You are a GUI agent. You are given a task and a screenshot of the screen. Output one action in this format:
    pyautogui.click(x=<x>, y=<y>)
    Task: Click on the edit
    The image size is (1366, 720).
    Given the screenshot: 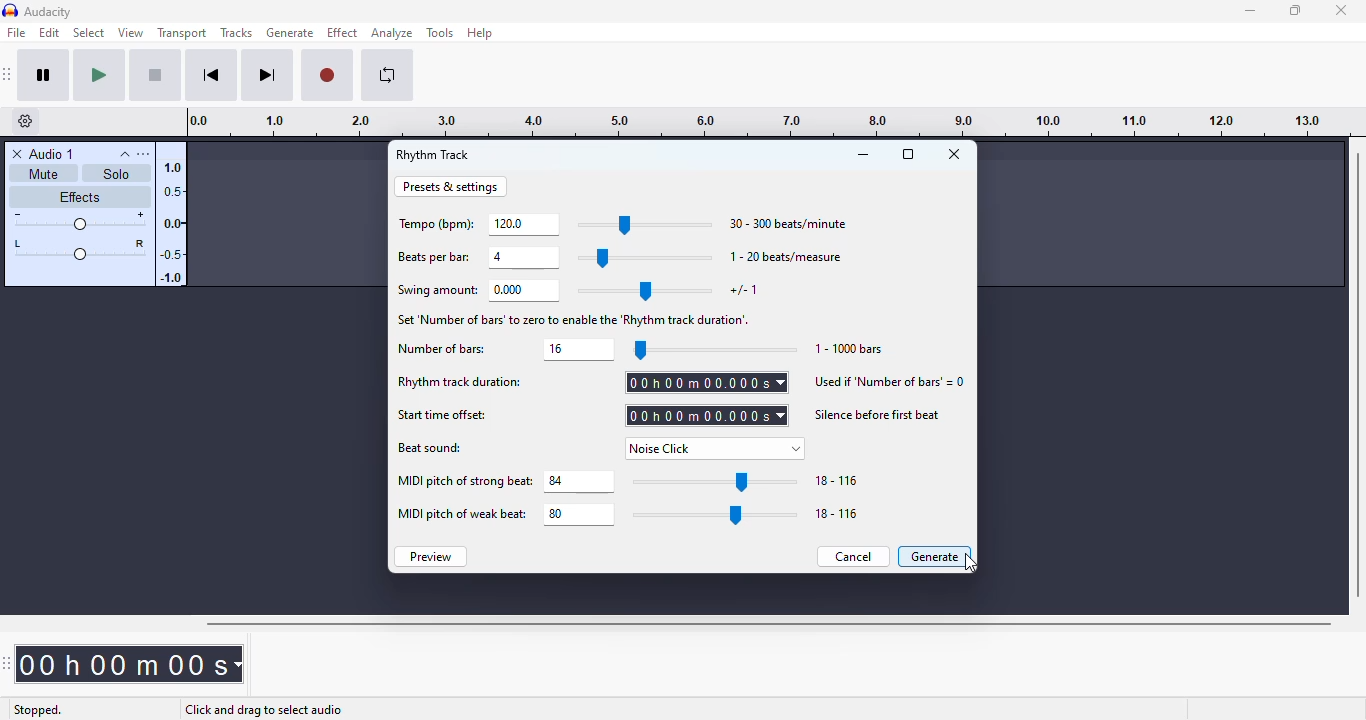 What is the action you would take?
    pyautogui.click(x=50, y=32)
    